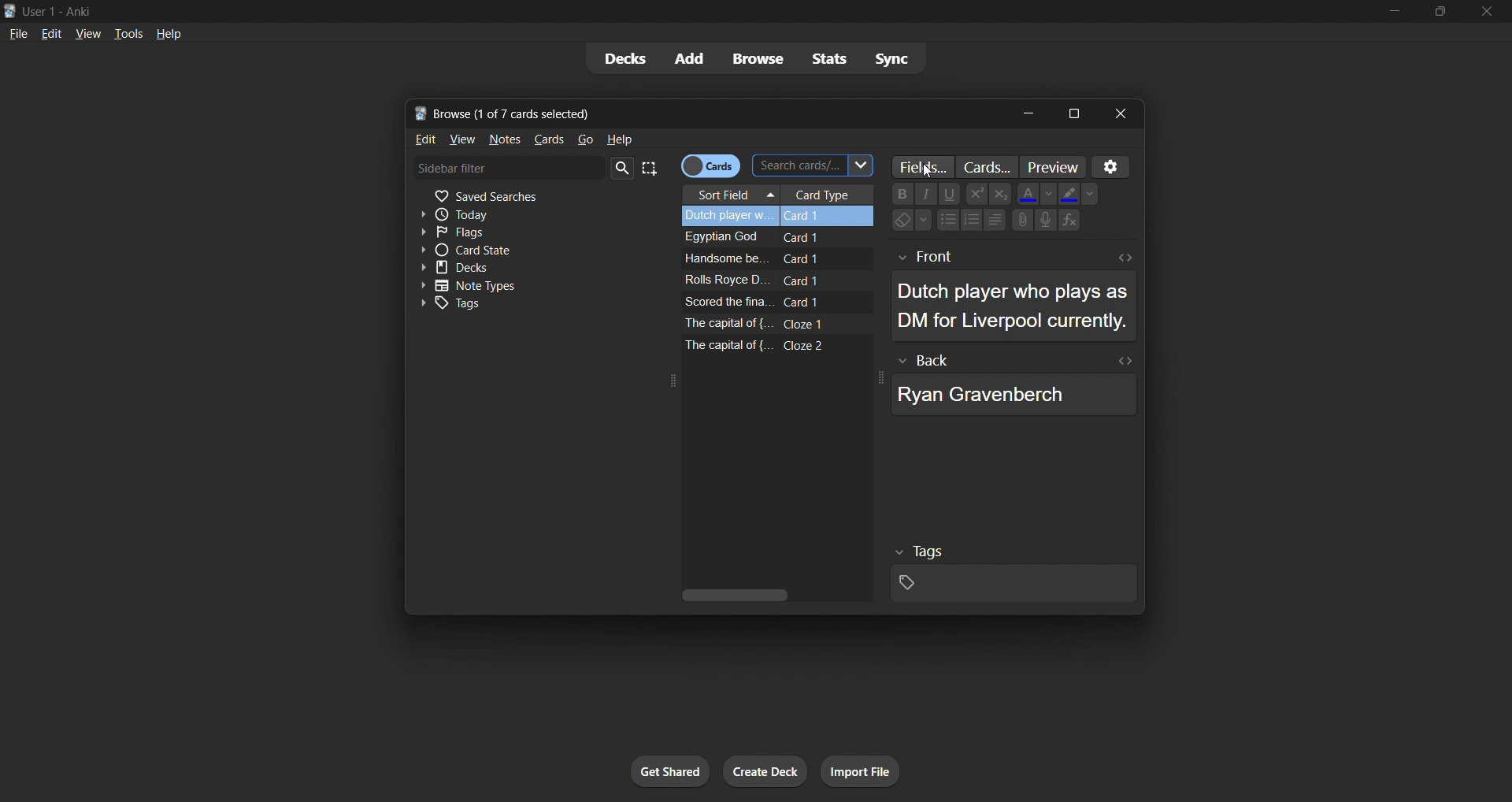 This screenshot has width=1512, height=802. I want to click on saved searches, so click(535, 194).